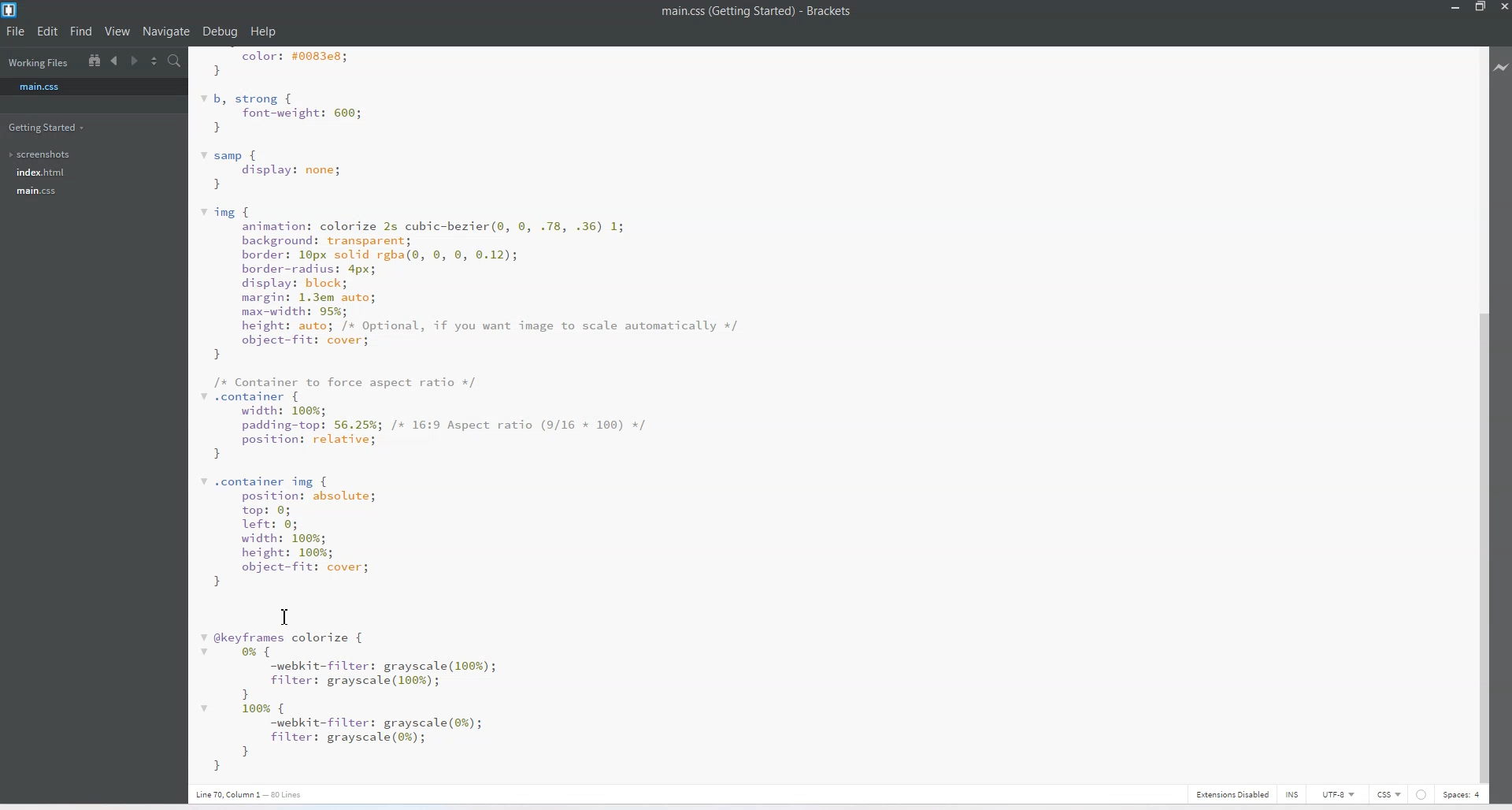  What do you see at coordinates (81, 32) in the screenshot?
I see `Find` at bounding box center [81, 32].